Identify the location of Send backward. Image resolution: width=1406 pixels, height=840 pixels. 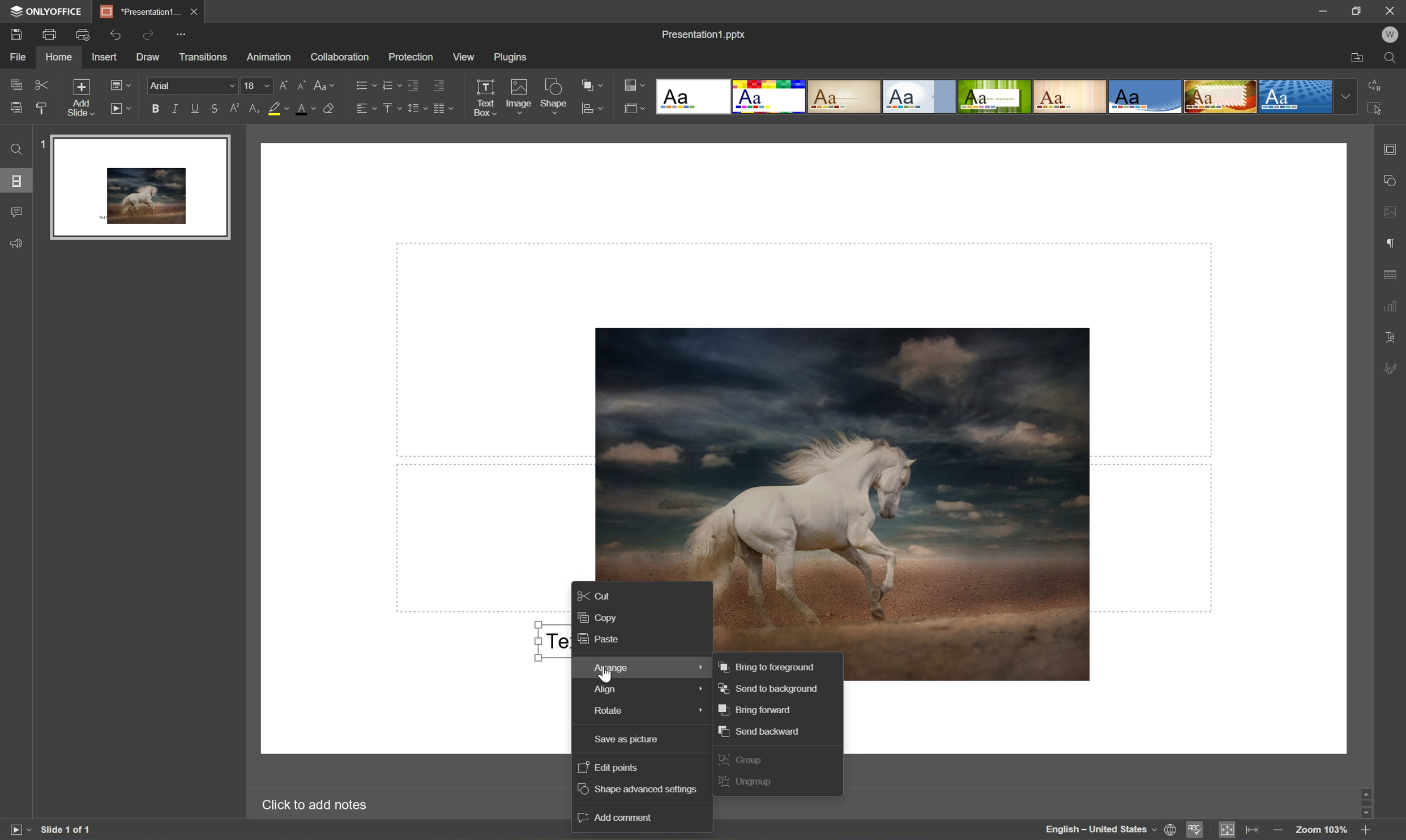
(761, 731).